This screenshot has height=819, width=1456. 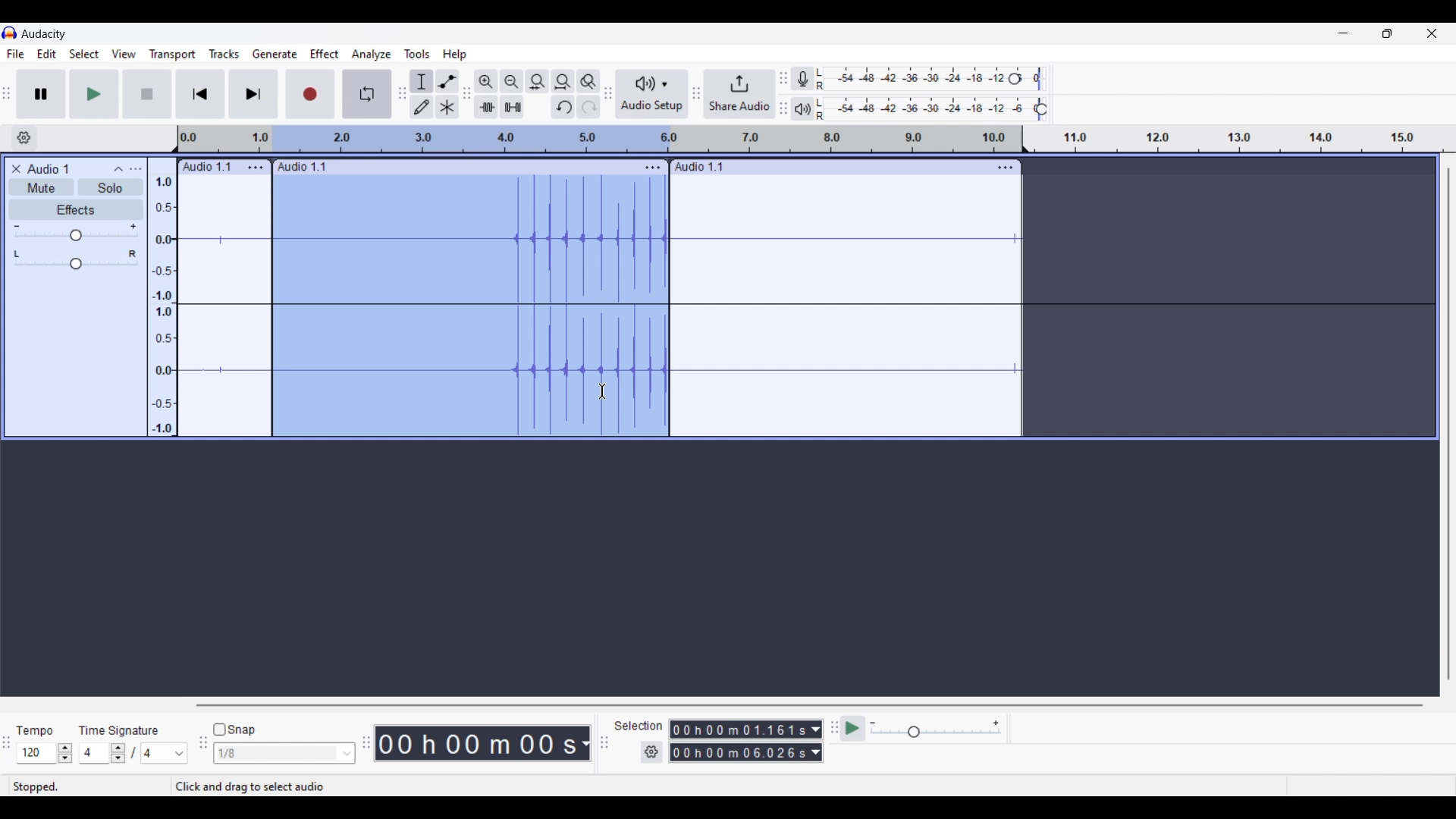 I want to click on Scale, so click(x=646, y=139).